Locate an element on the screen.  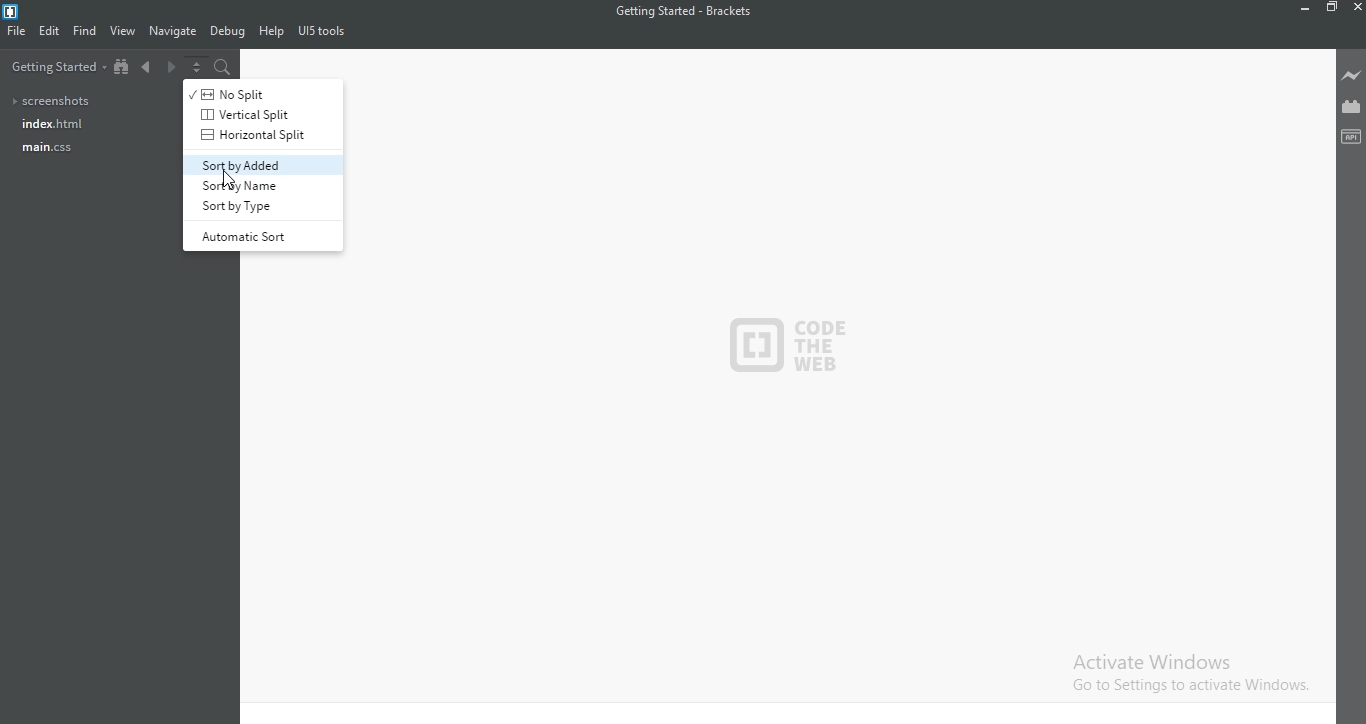
Extension Manager is located at coordinates (1352, 106).